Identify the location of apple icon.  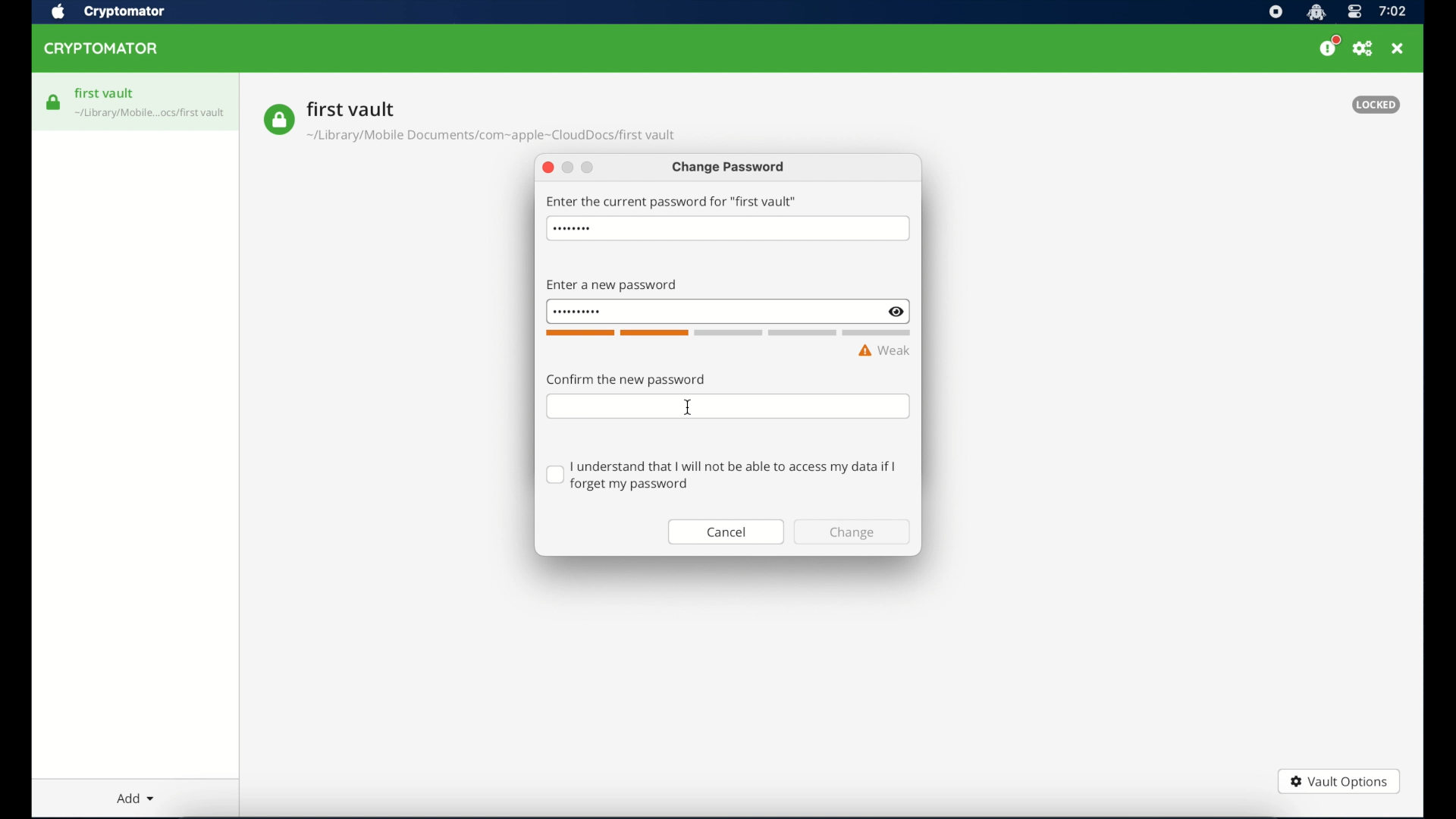
(57, 12).